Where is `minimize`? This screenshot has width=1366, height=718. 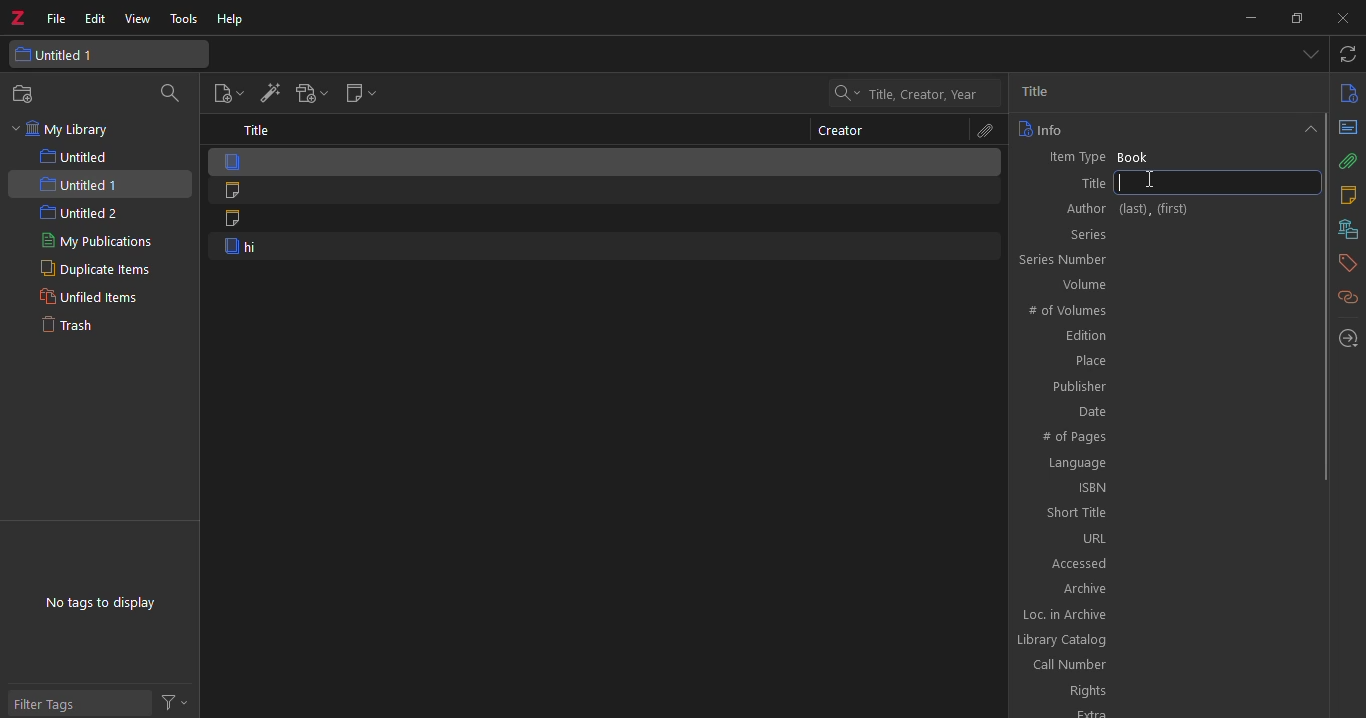 minimize is located at coordinates (1250, 17).